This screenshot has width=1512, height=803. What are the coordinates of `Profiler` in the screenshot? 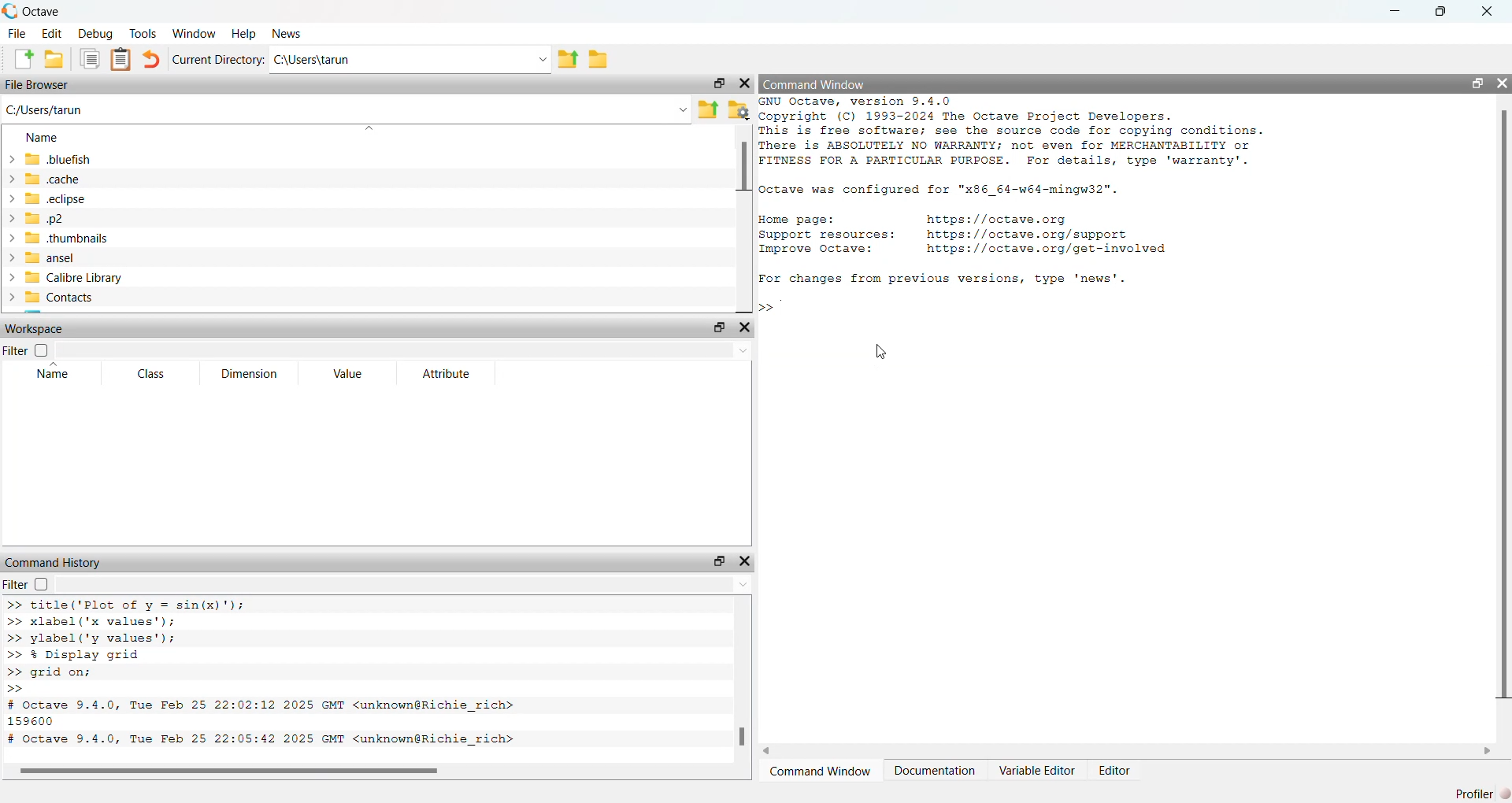 It's located at (1480, 794).